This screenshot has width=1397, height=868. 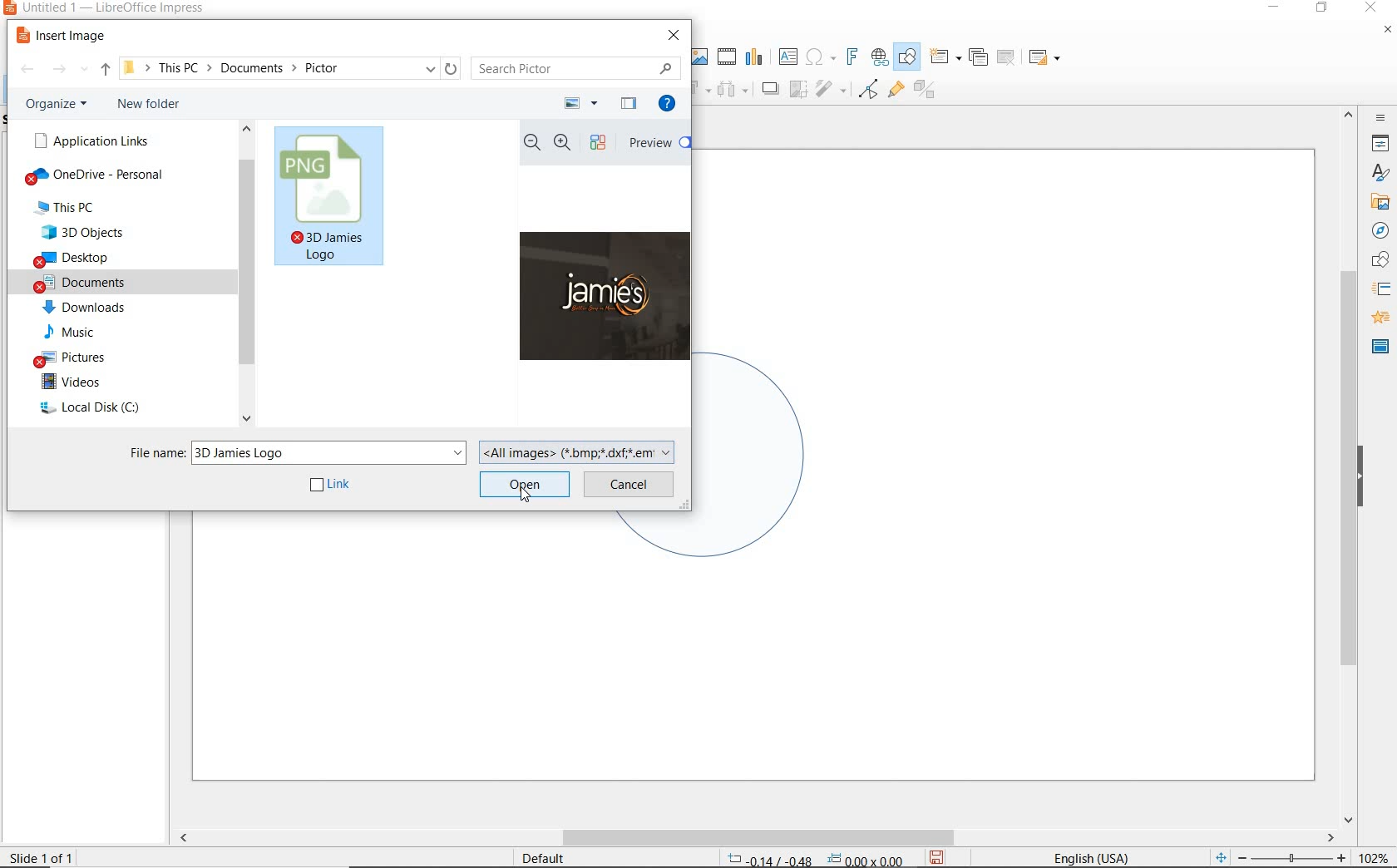 What do you see at coordinates (532, 143) in the screenshot?
I see `zoom out` at bounding box center [532, 143].